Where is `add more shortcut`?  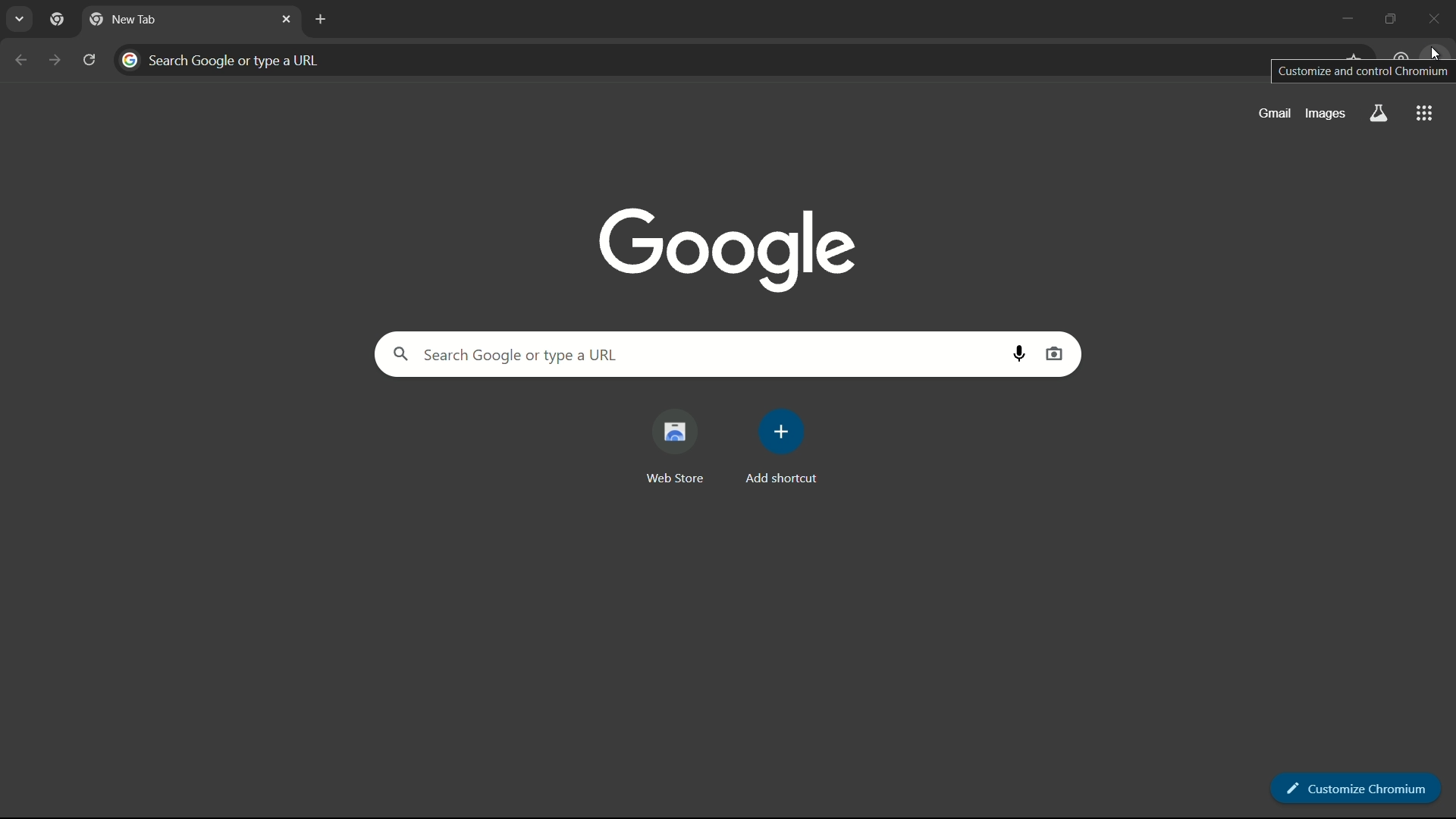
add more shortcut is located at coordinates (782, 448).